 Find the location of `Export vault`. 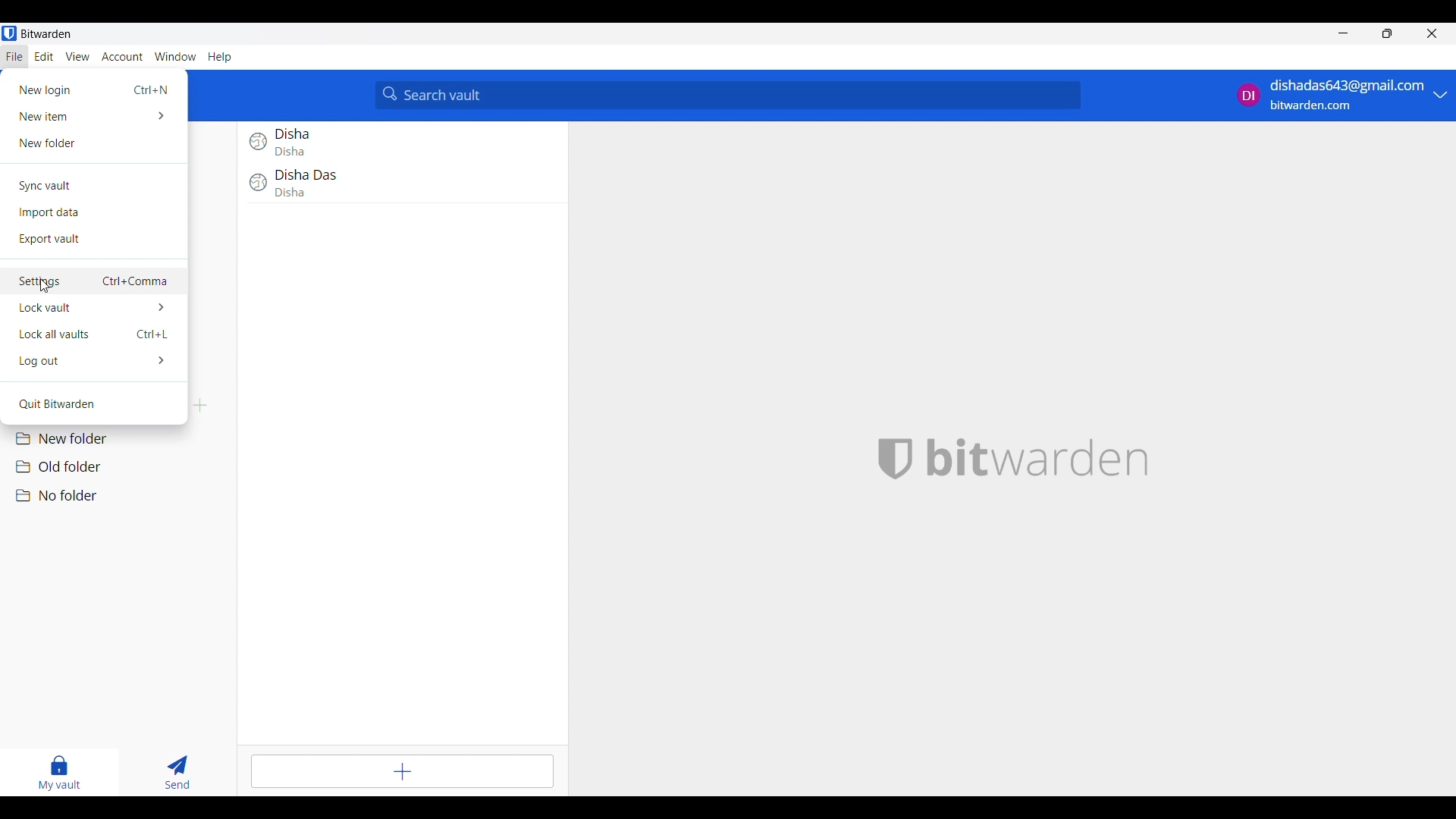

Export vault is located at coordinates (93, 239).